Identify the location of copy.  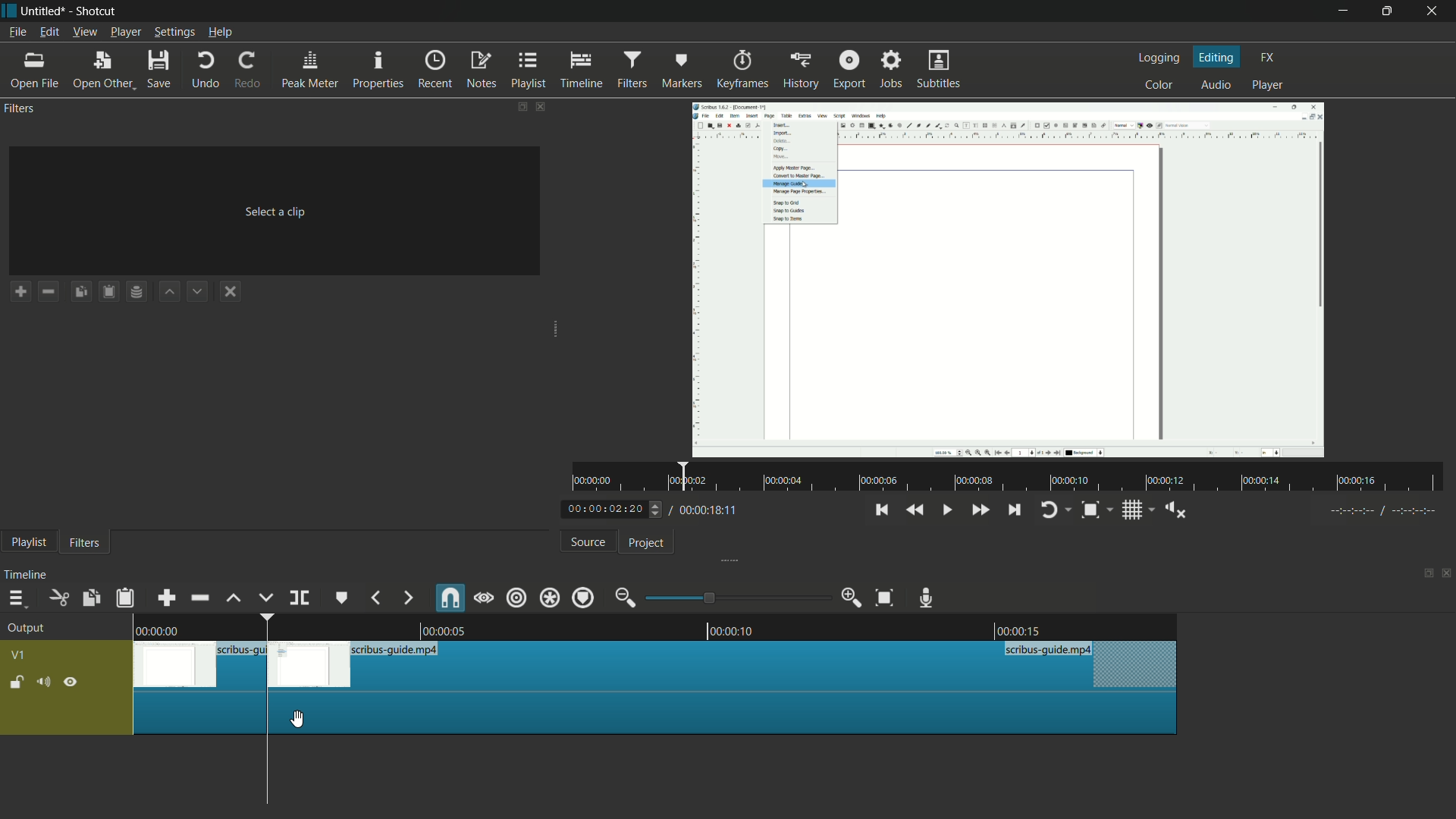
(90, 599).